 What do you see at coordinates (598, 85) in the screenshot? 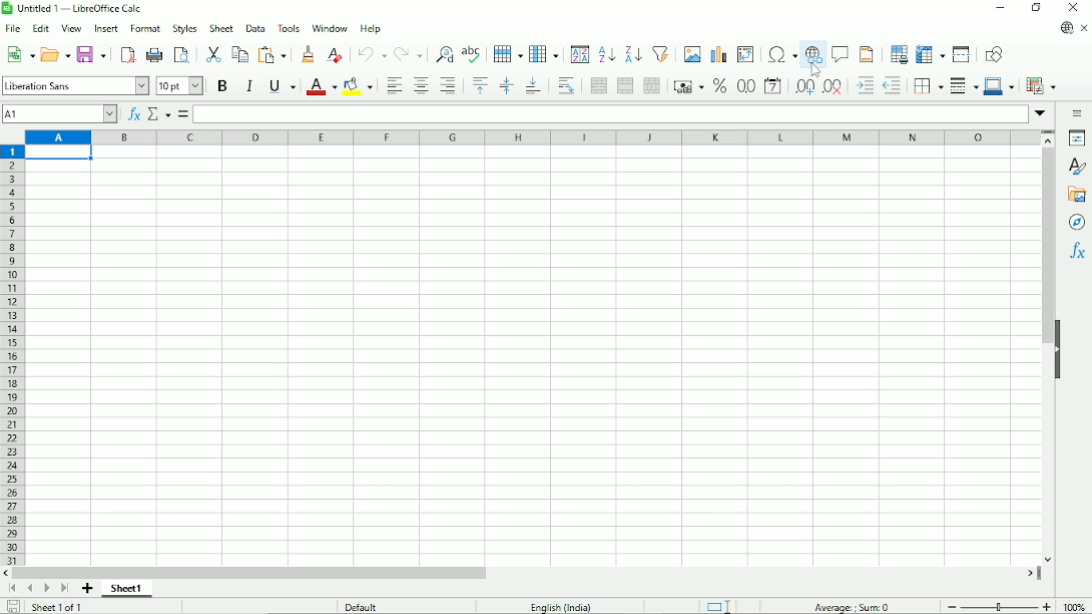
I see `Merge and center` at bounding box center [598, 85].